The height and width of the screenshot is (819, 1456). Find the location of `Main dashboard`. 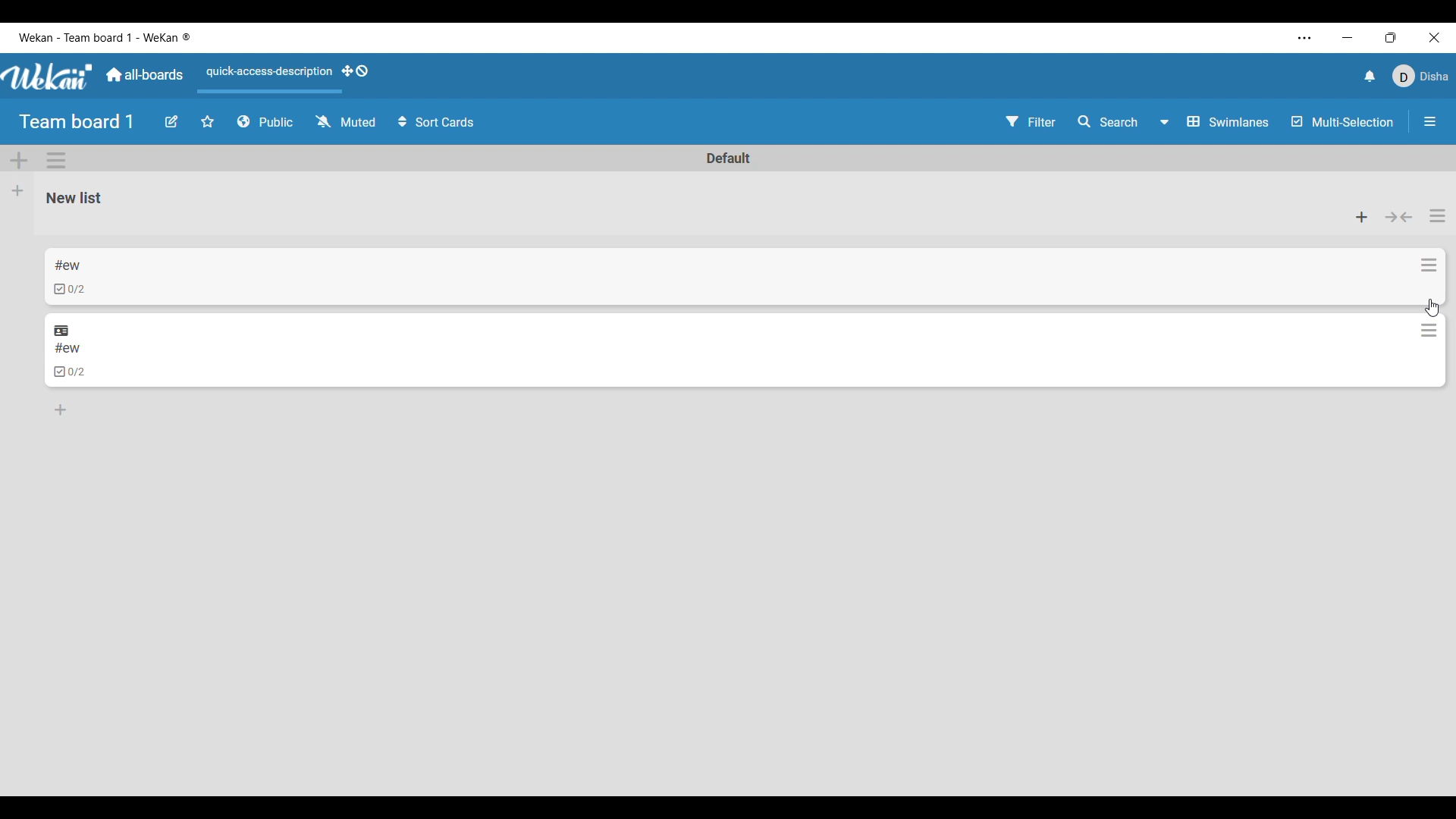

Main dashboard is located at coordinates (145, 75).